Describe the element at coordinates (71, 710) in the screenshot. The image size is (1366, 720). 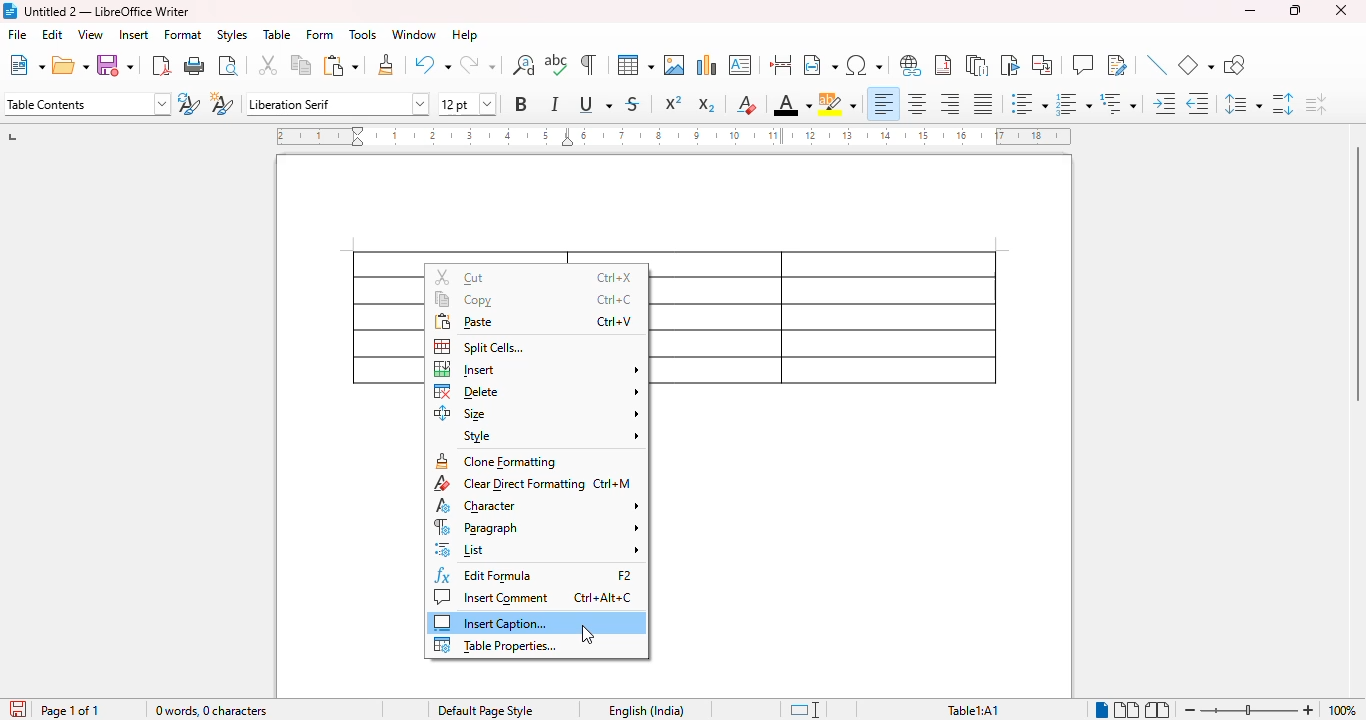
I see `page 1 of 1` at that location.